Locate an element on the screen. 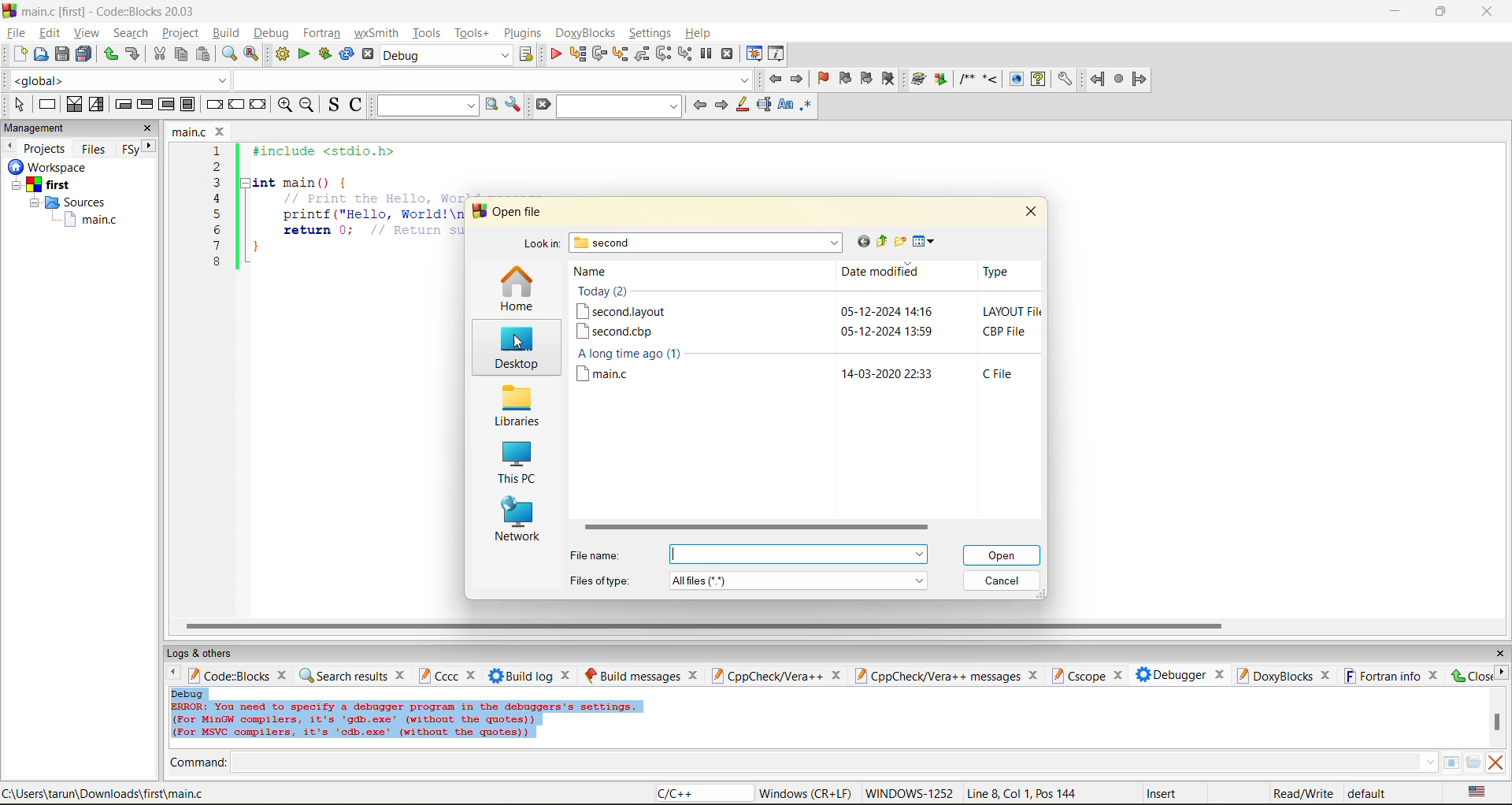 This screenshot has width=1512, height=805. first project is located at coordinates (43, 185).